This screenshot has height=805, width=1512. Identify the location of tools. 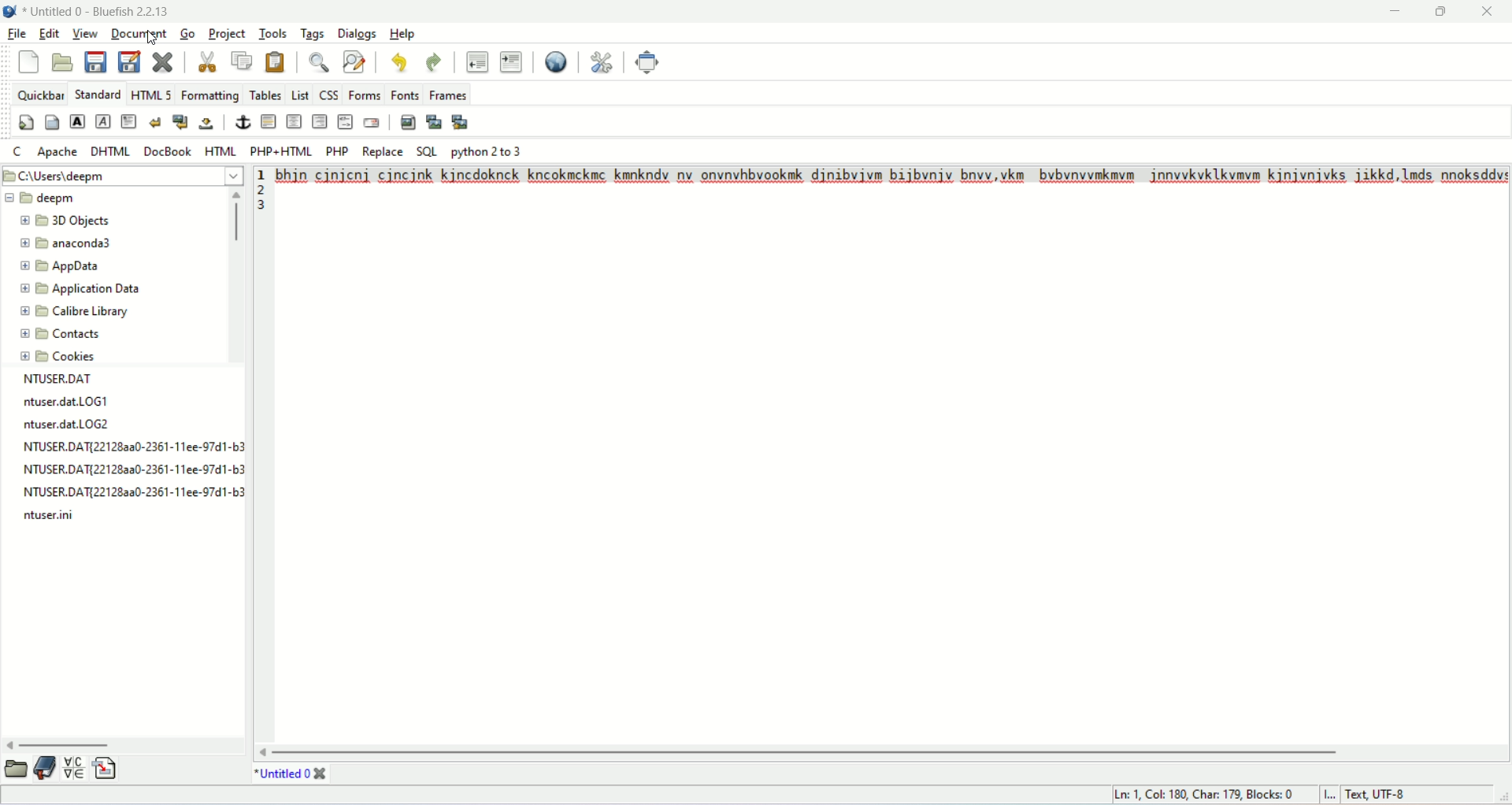
(270, 34).